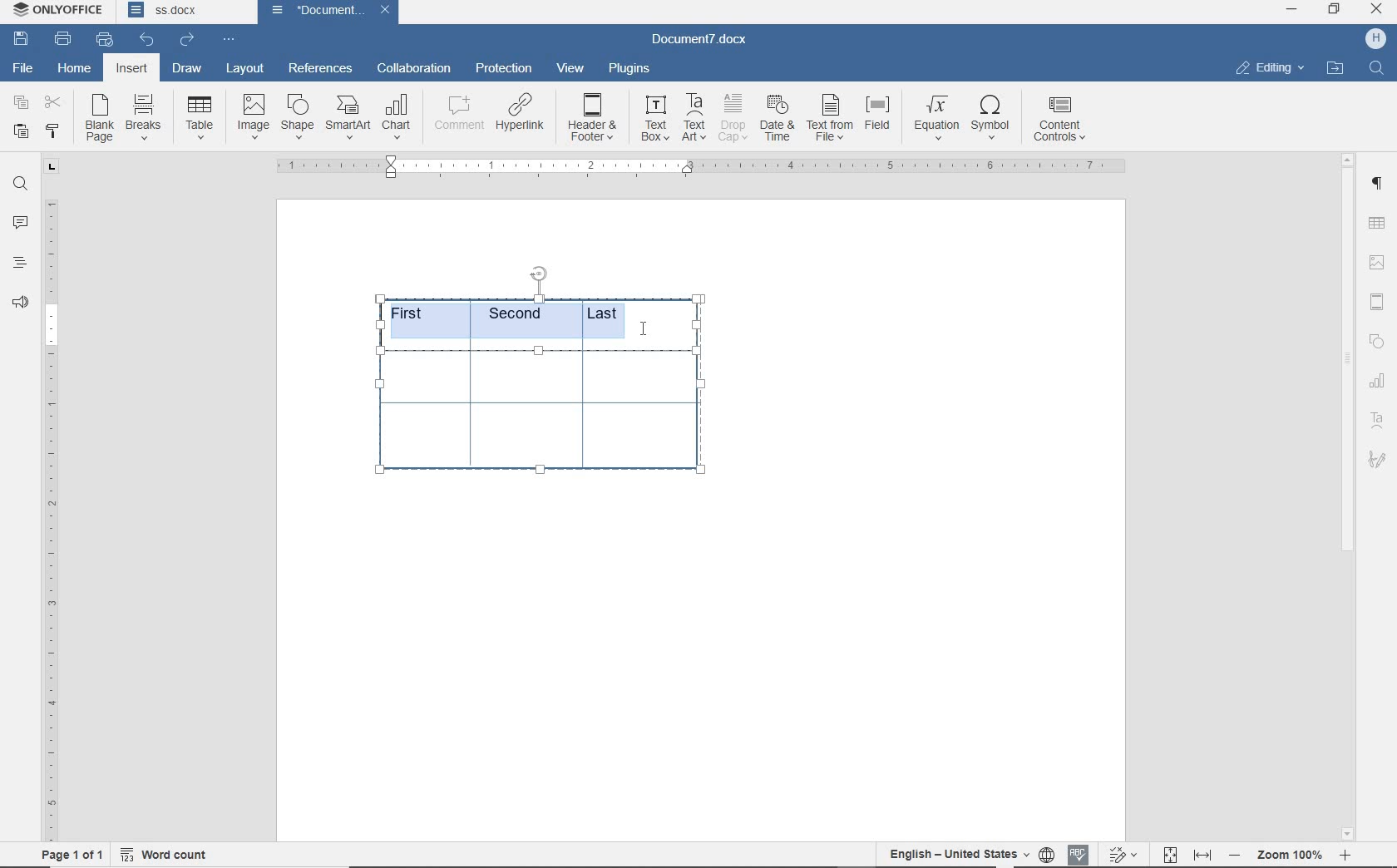 The height and width of the screenshot is (868, 1397). Describe the element at coordinates (1349, 831) in the screenshot. I see `scroll down` at that location.